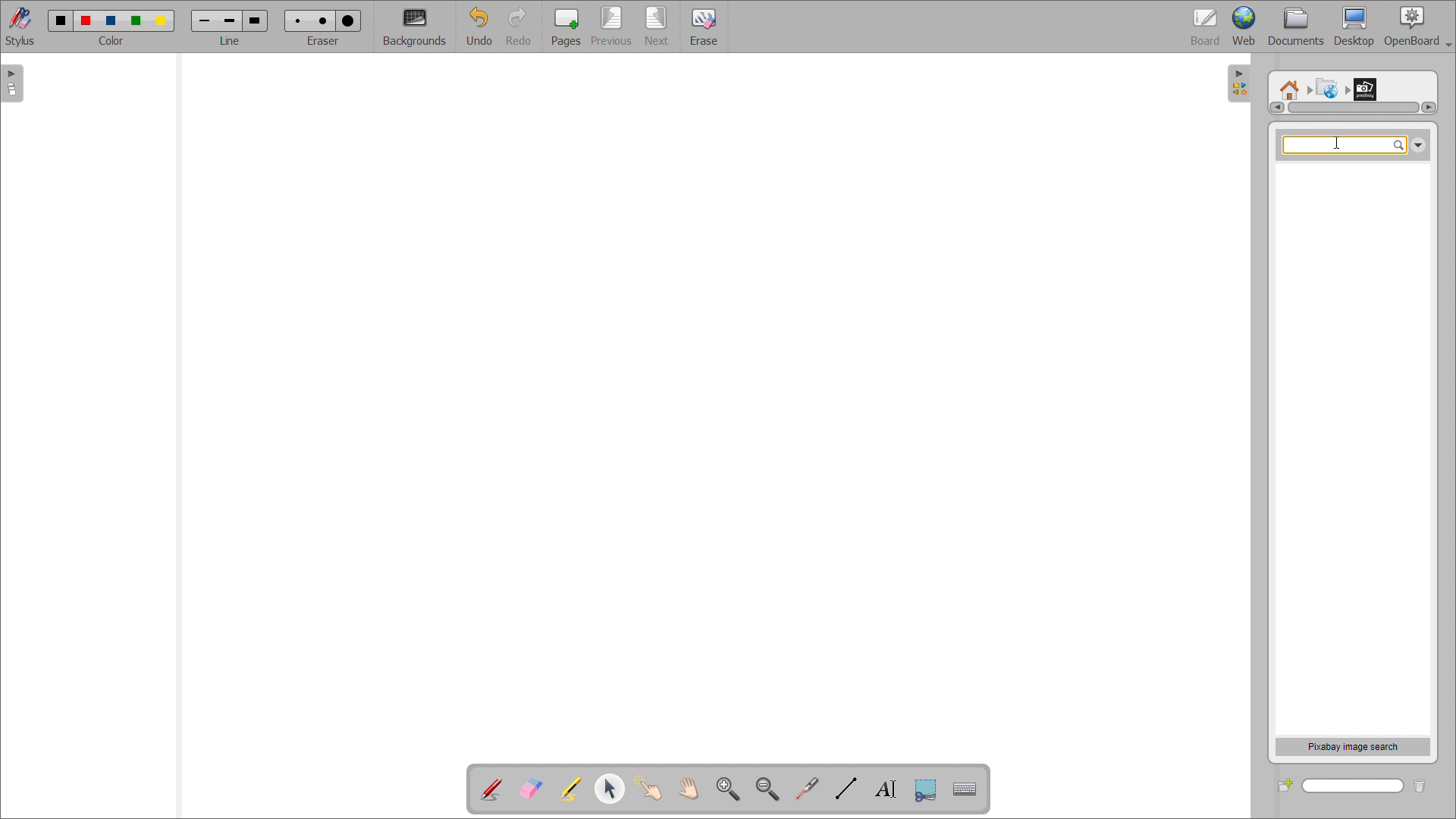 Image resolution: width=1456 pixels, height=819 pixels. What do you see at coordinates (611, 26) in the screenshot?
I see `previous page` at bounding box center [611, 26].